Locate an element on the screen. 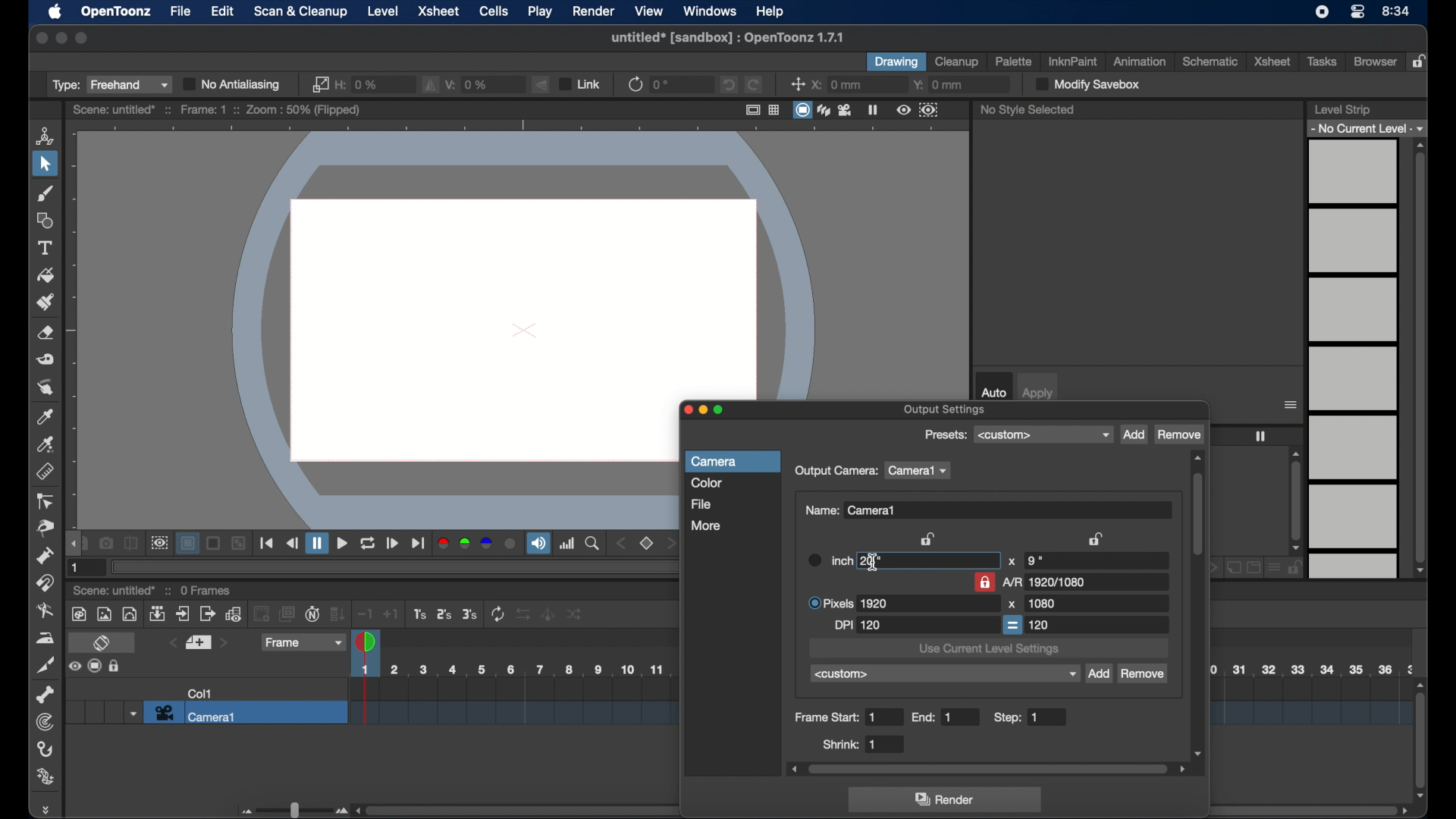 The height and width of the screenshot is (819, 1456). dropdown is located at coordinates (131, 713).